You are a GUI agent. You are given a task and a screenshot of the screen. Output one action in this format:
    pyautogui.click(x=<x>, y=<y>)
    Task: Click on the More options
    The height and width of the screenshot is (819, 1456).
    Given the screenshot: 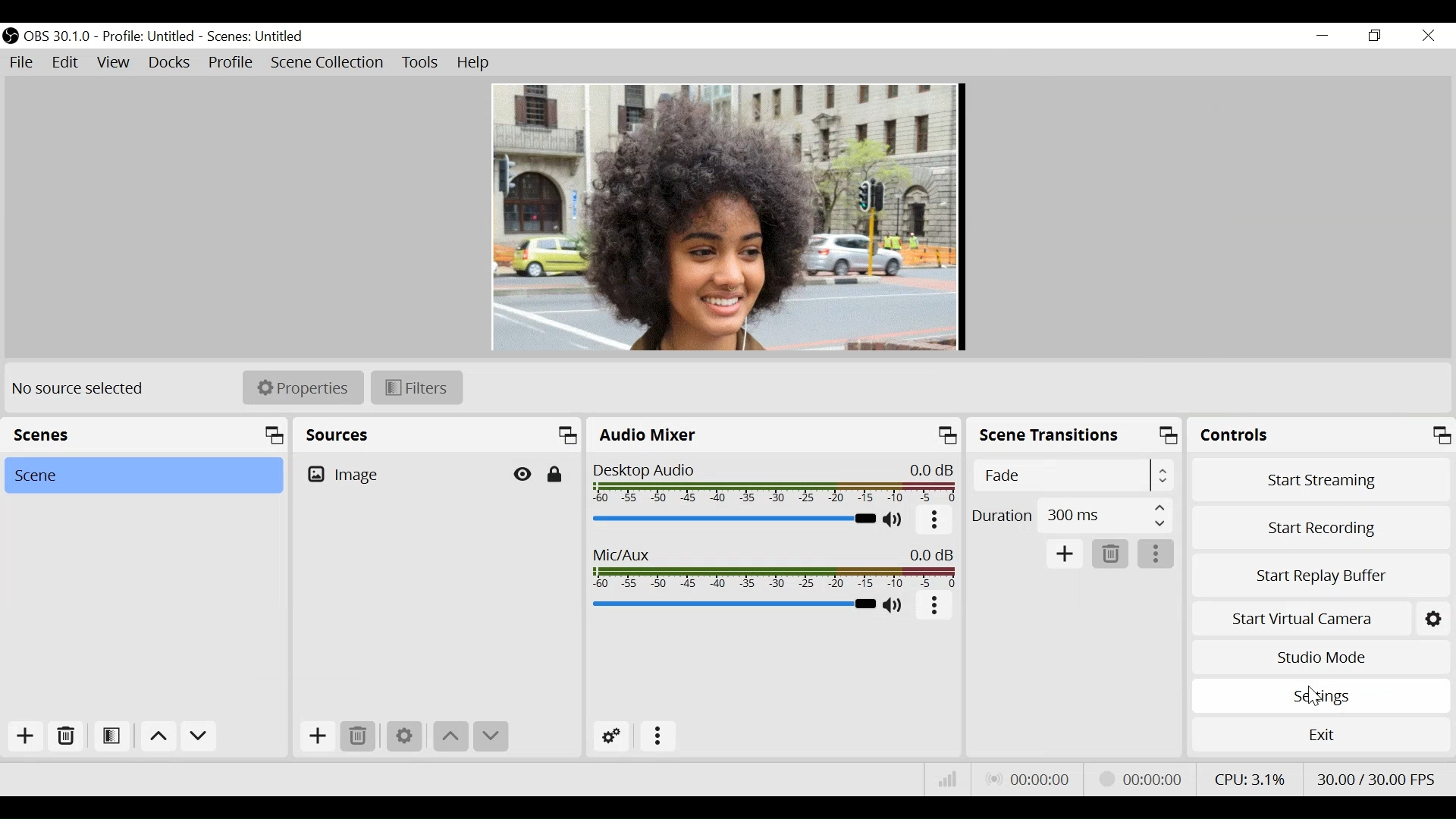 What is the action you would take?
    pyautogui.click(x=654, y=738)
    